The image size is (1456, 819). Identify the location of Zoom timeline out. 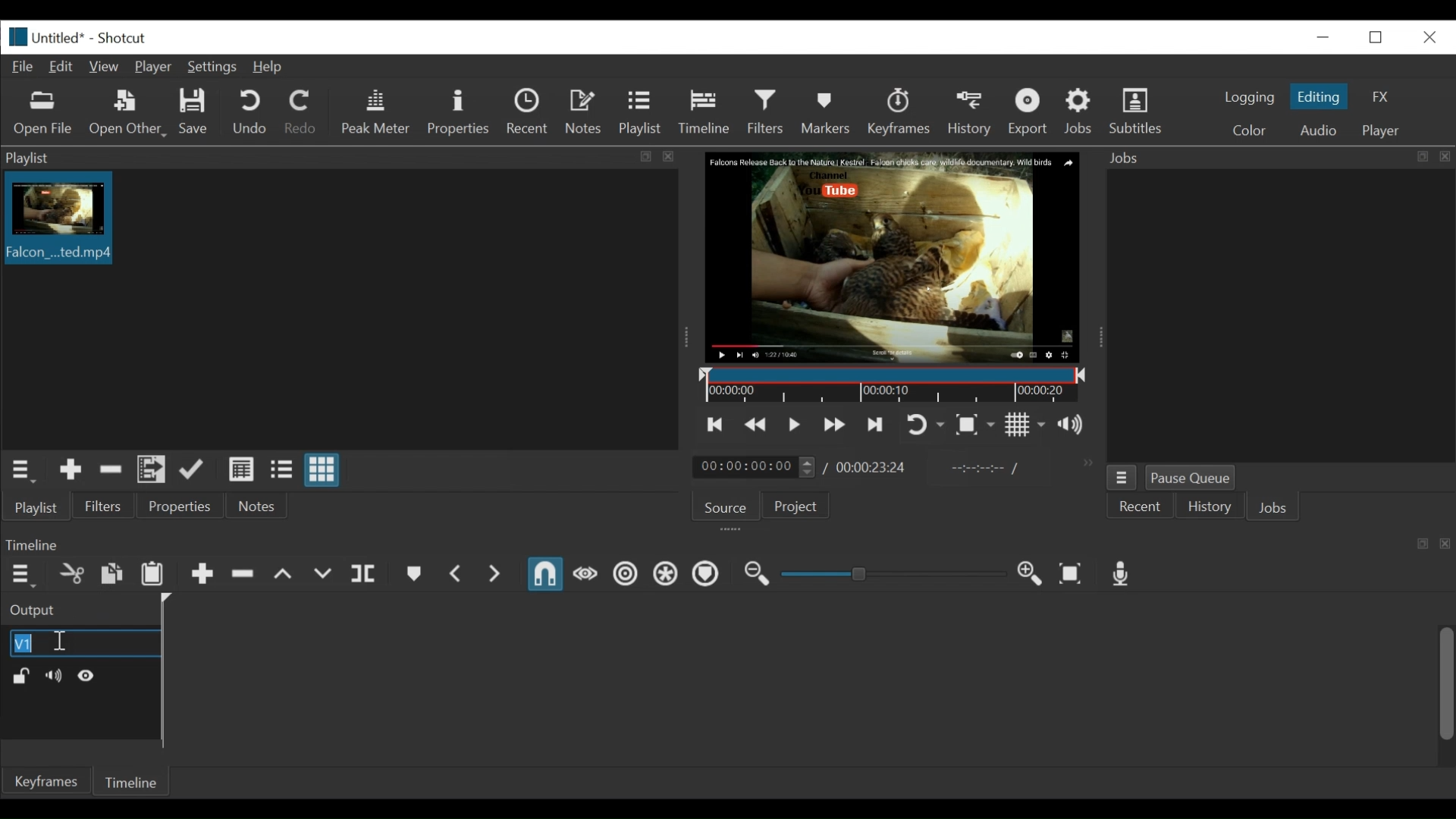
(755, 574).